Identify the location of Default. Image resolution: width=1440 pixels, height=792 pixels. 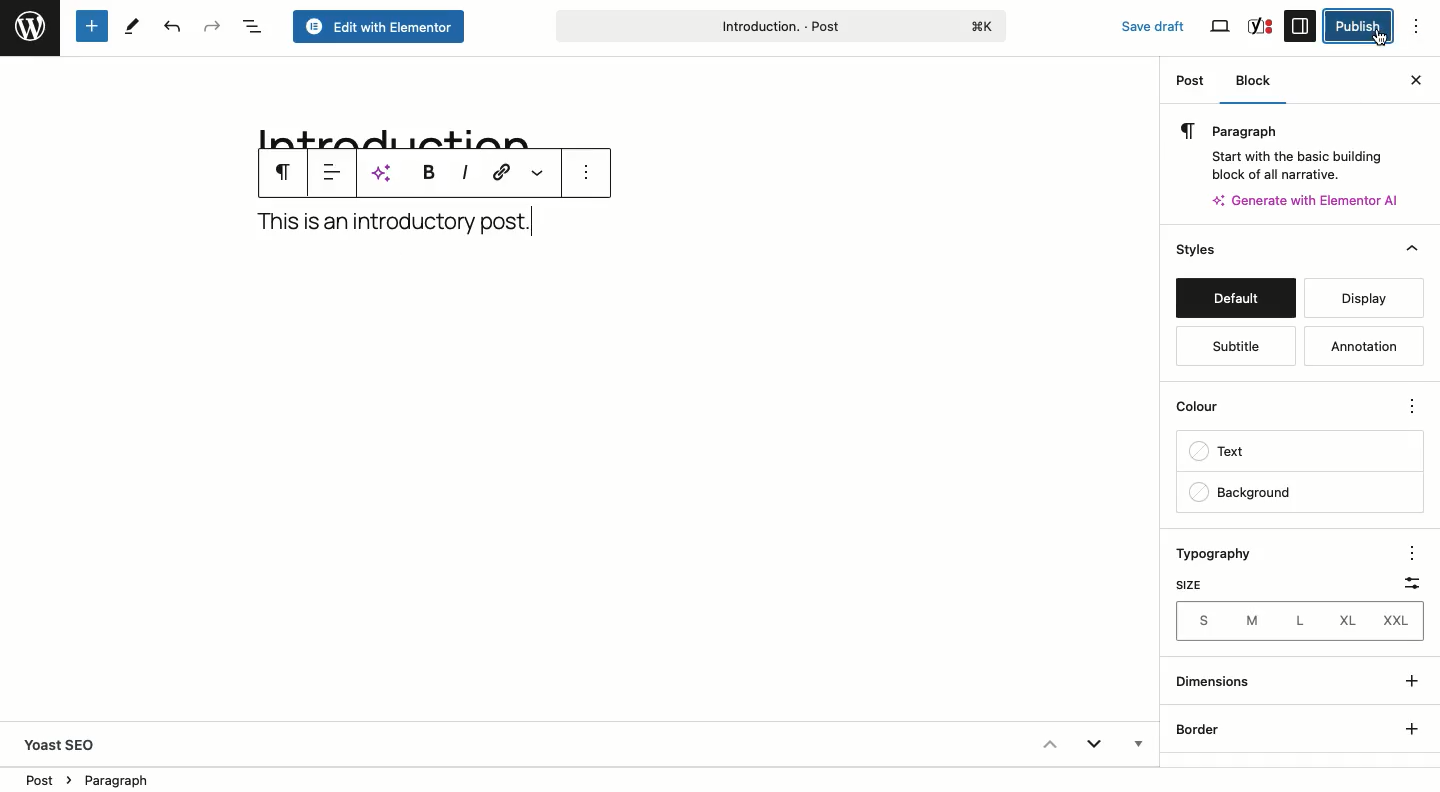
(1235, 300).